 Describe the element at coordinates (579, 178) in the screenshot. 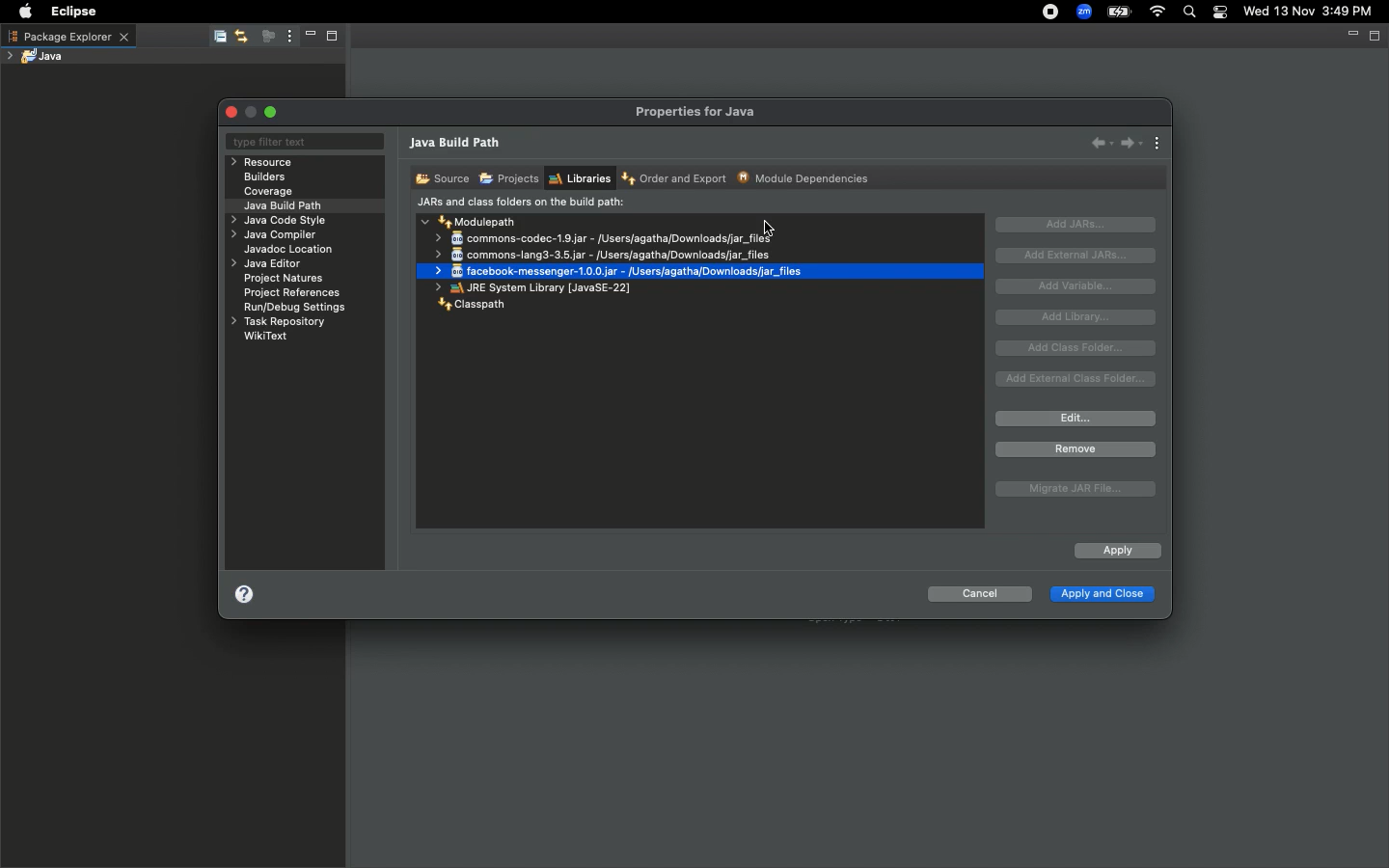

I see `Libraries` at that location.